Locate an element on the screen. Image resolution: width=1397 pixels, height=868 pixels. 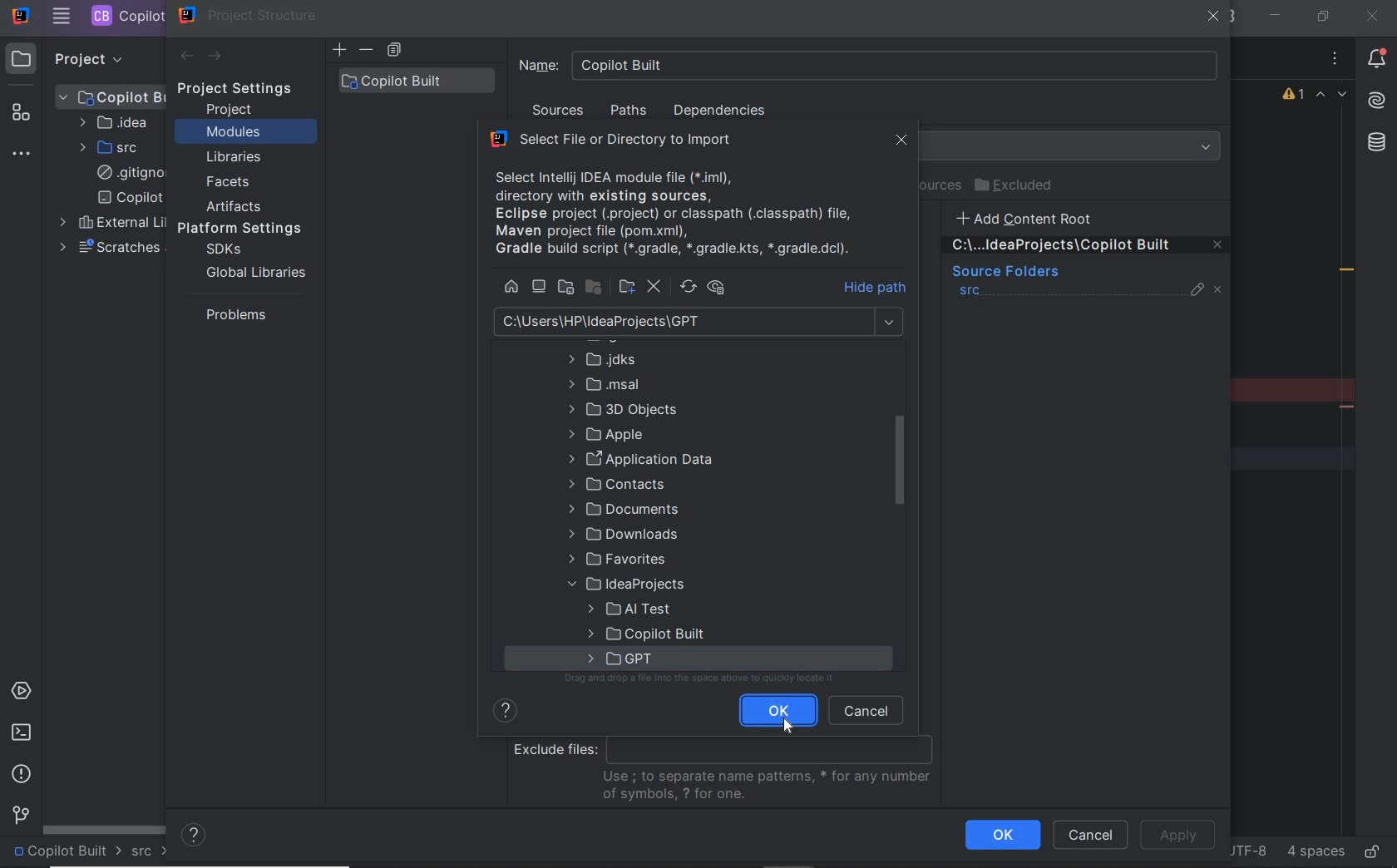
1 warning is located at coordinates (1295, 96).